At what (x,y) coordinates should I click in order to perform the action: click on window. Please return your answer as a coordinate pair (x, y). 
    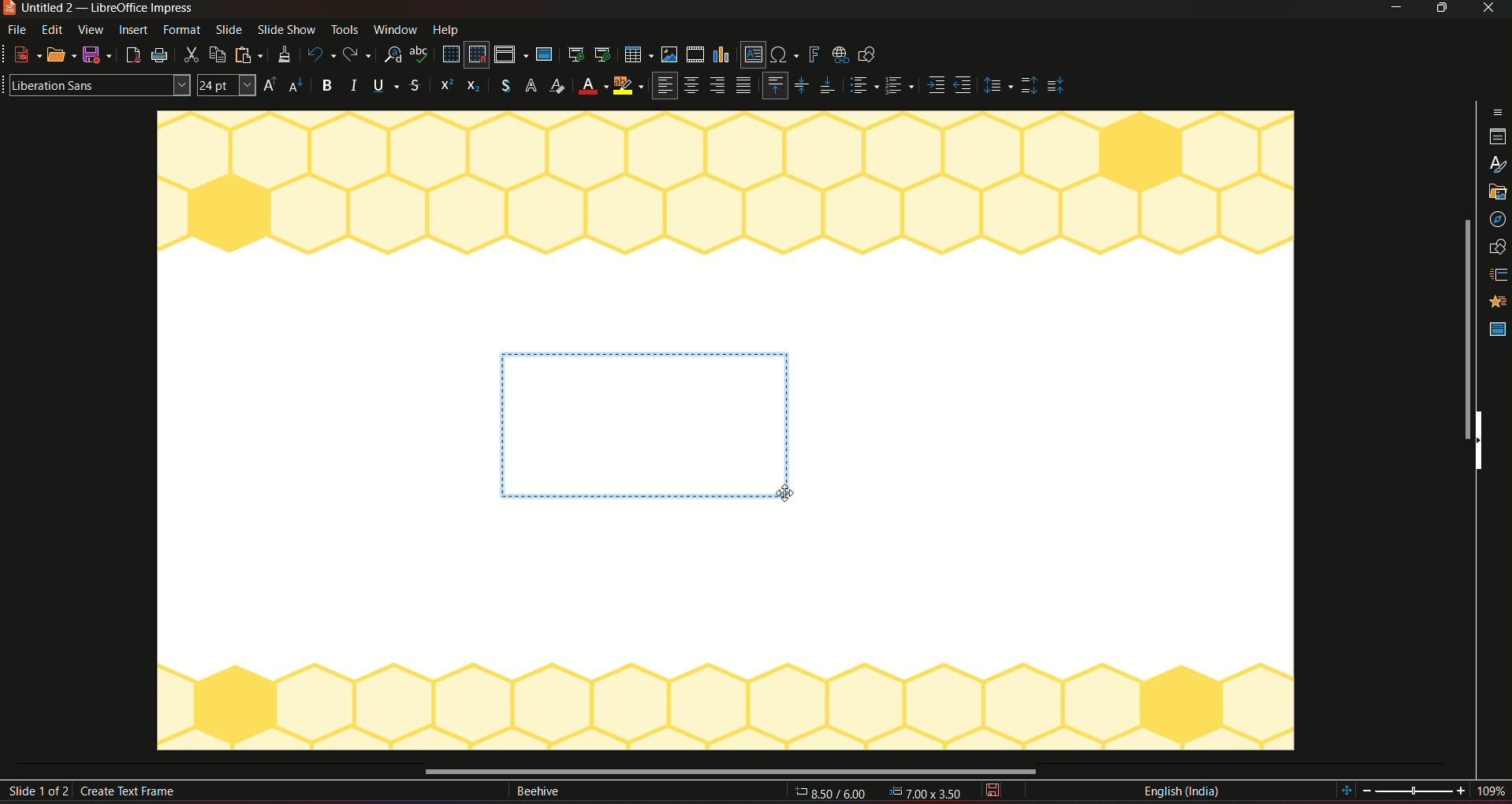
    Looking at the image, I should click on (395, 29).